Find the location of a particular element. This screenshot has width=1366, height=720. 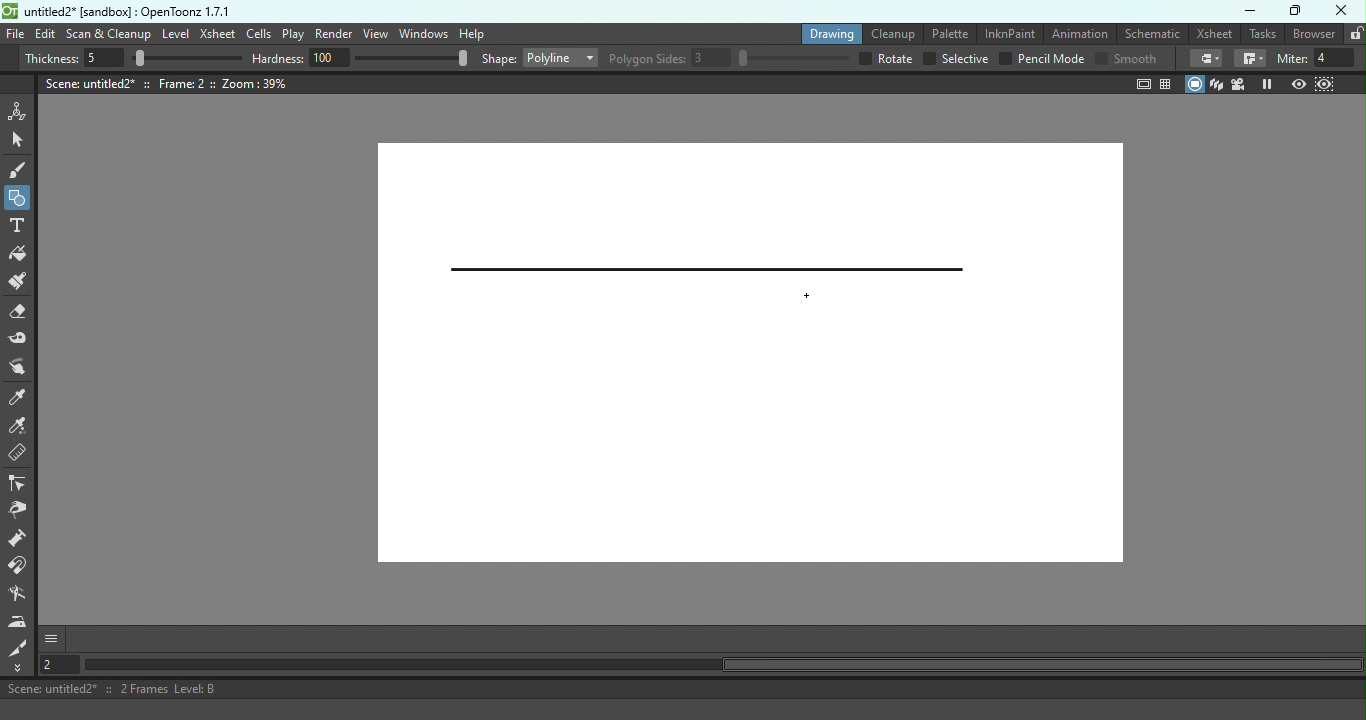

Ruler is located at coordinates (24, 456).